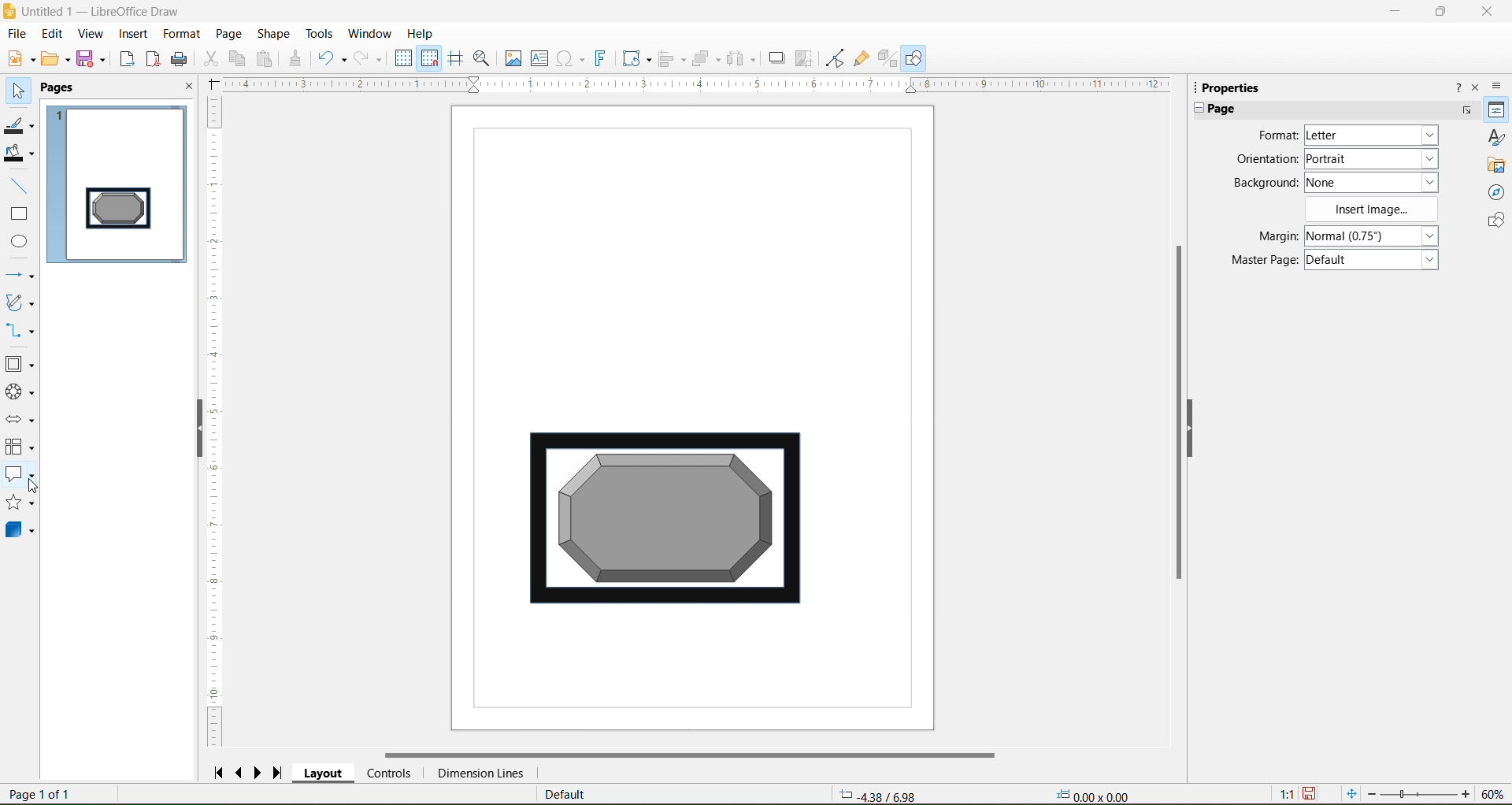  Describe the element at coordinates (1178, 418) in the screenshot. I see `Vertical Scroll bar` at that location.